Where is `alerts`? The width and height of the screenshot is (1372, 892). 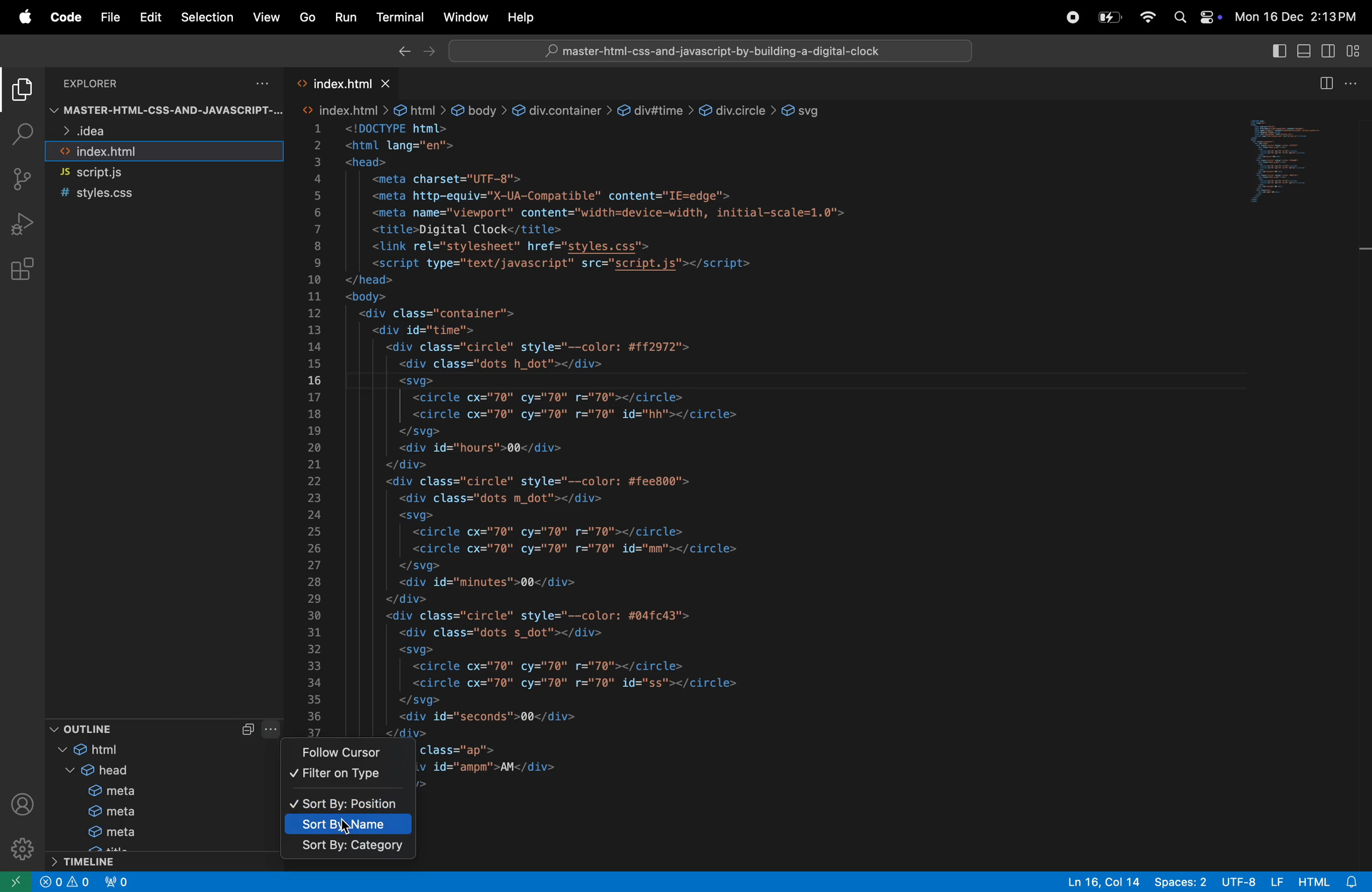
alerts is located at coordinates (79, 883).